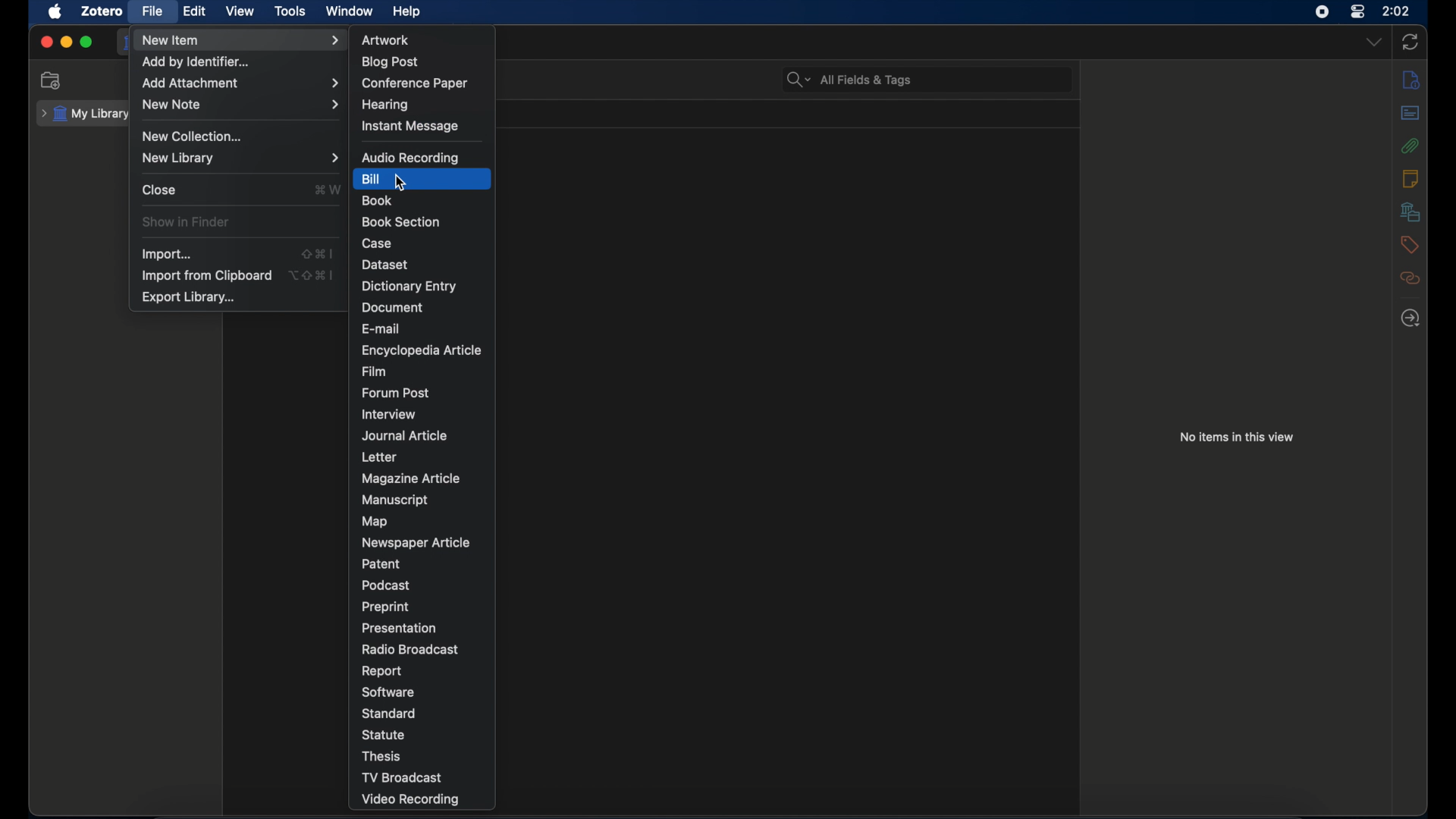 The height and width of the screenshot is (819, 1456). Describe the element at coordinates (393, 499) in the screenshot. I see `manuscript` at that location.